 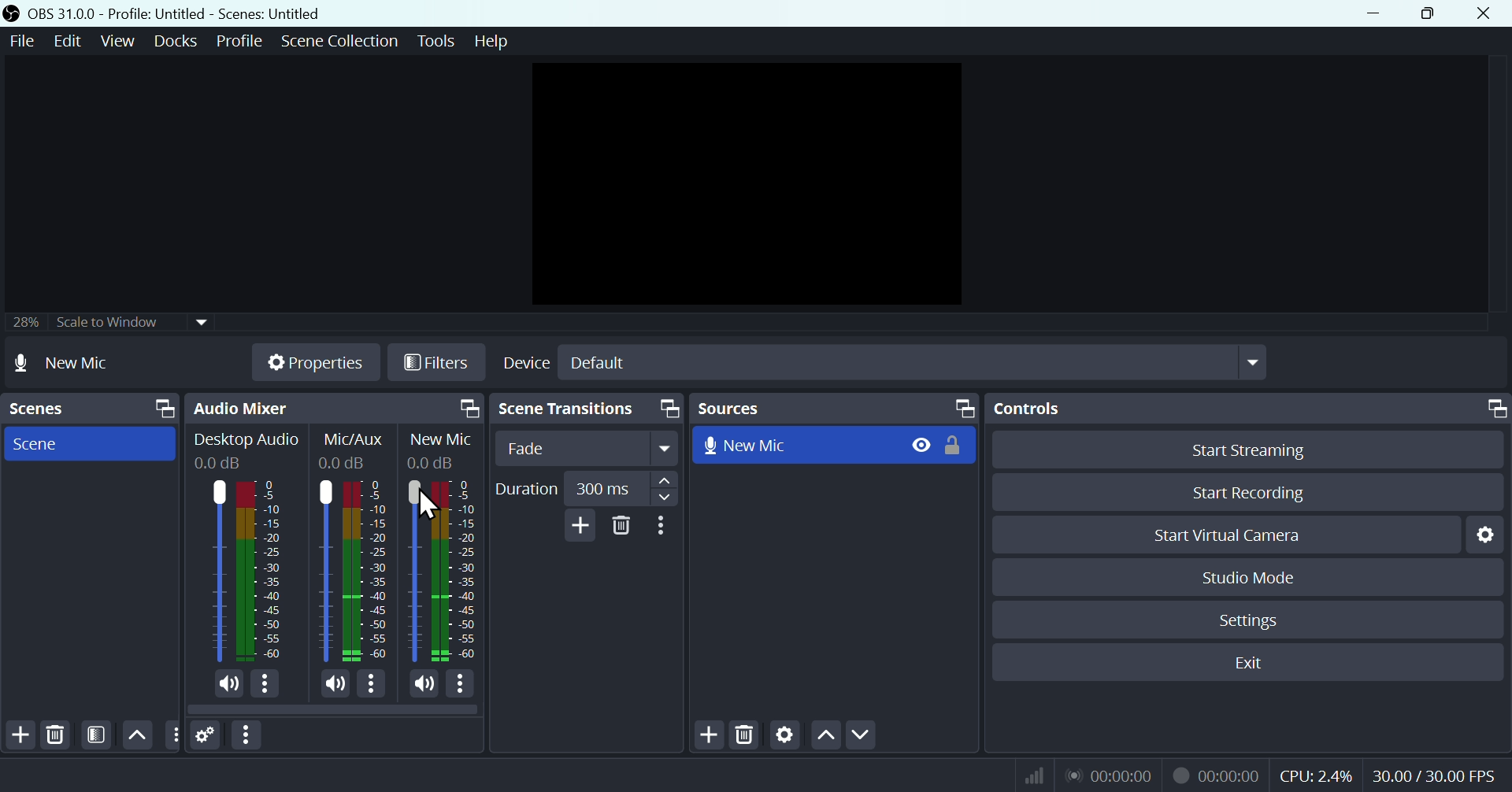 I want to click on (un)lock, so click(x=957, y=445).